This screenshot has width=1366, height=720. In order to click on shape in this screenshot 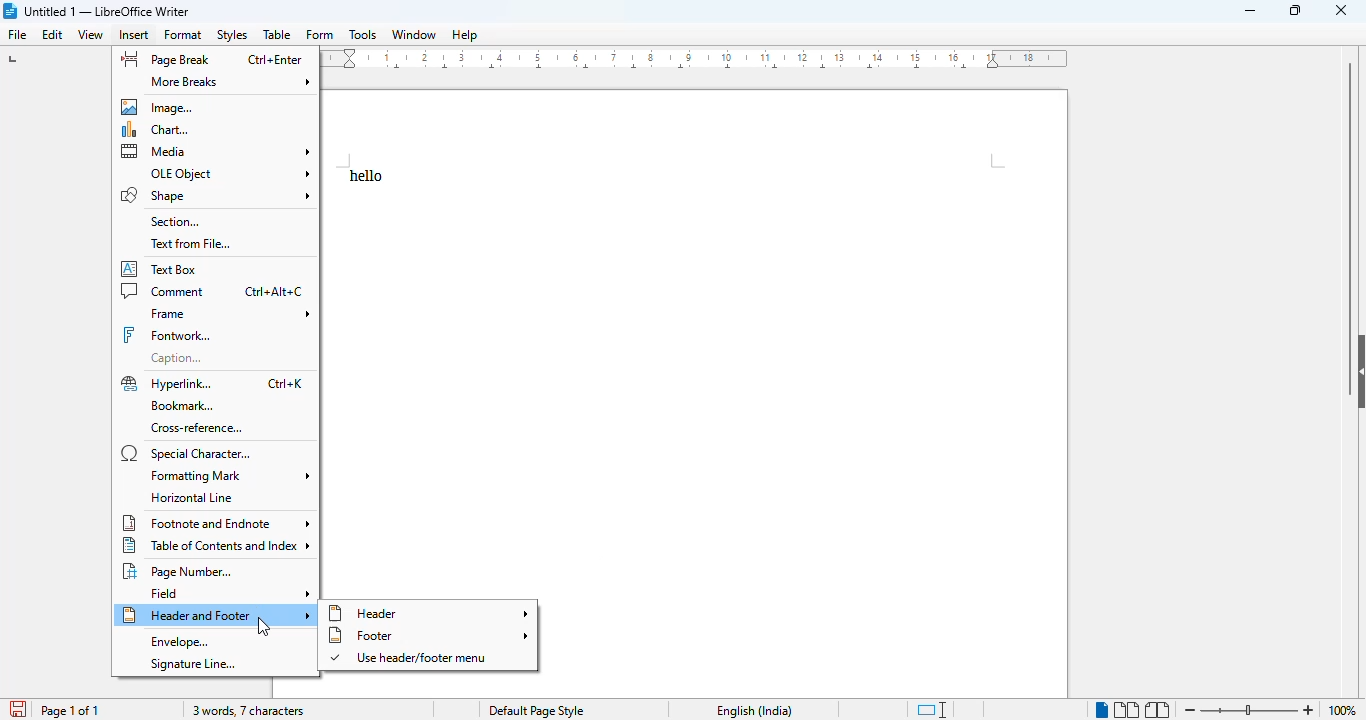, I will do `click(217, 195)`.